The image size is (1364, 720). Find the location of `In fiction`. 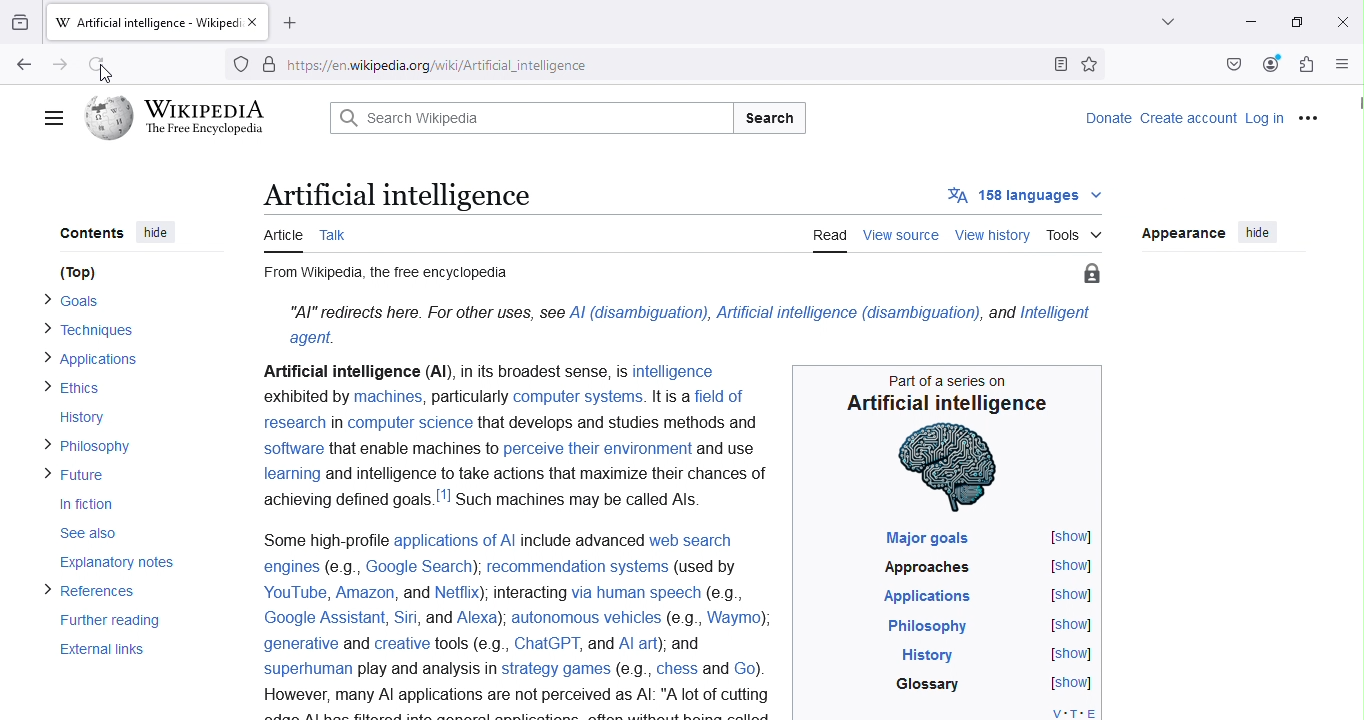

In fiction is located at coordinates (78, 507).